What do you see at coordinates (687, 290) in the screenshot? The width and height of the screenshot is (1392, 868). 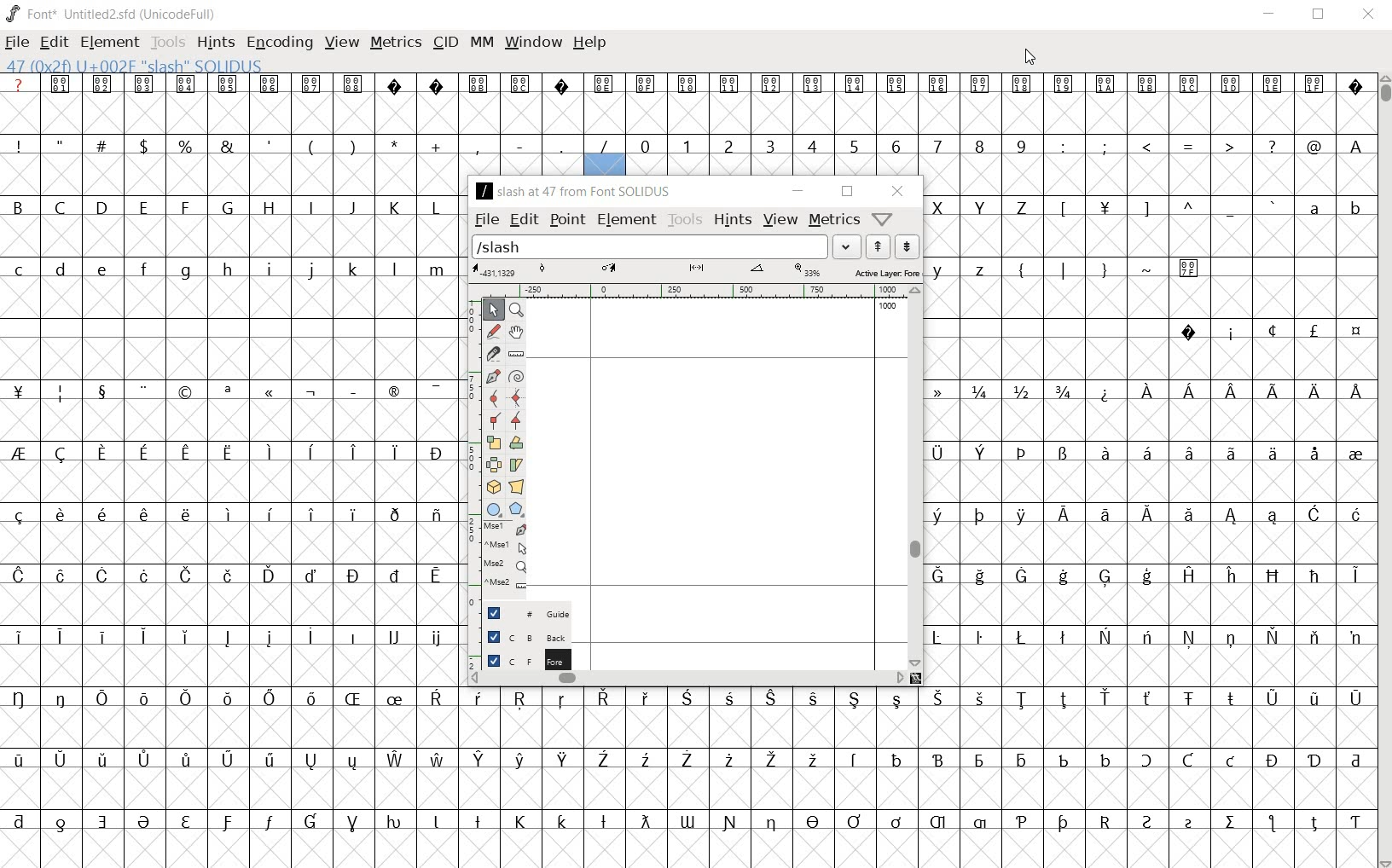 I see `ruler` at bounding box center [687, 290].